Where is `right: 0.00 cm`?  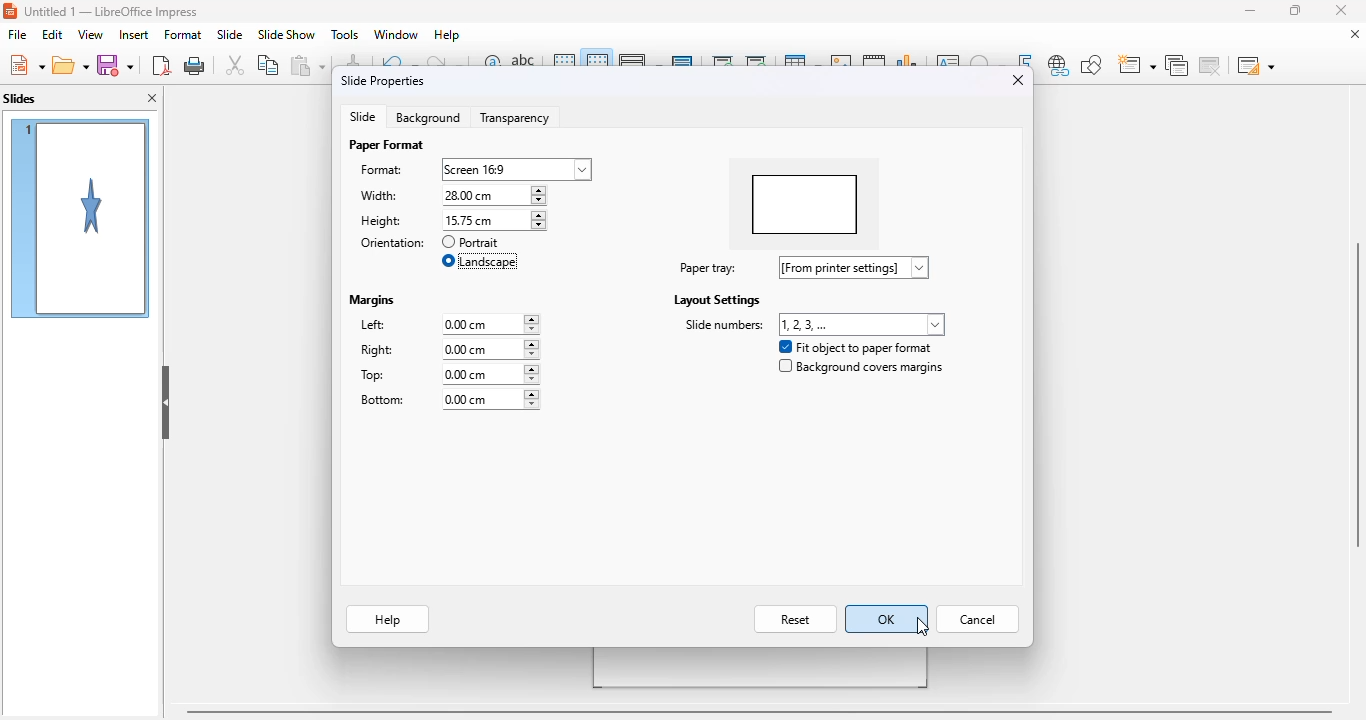 right: 0.00 cm is located at coordinates (481, 349).